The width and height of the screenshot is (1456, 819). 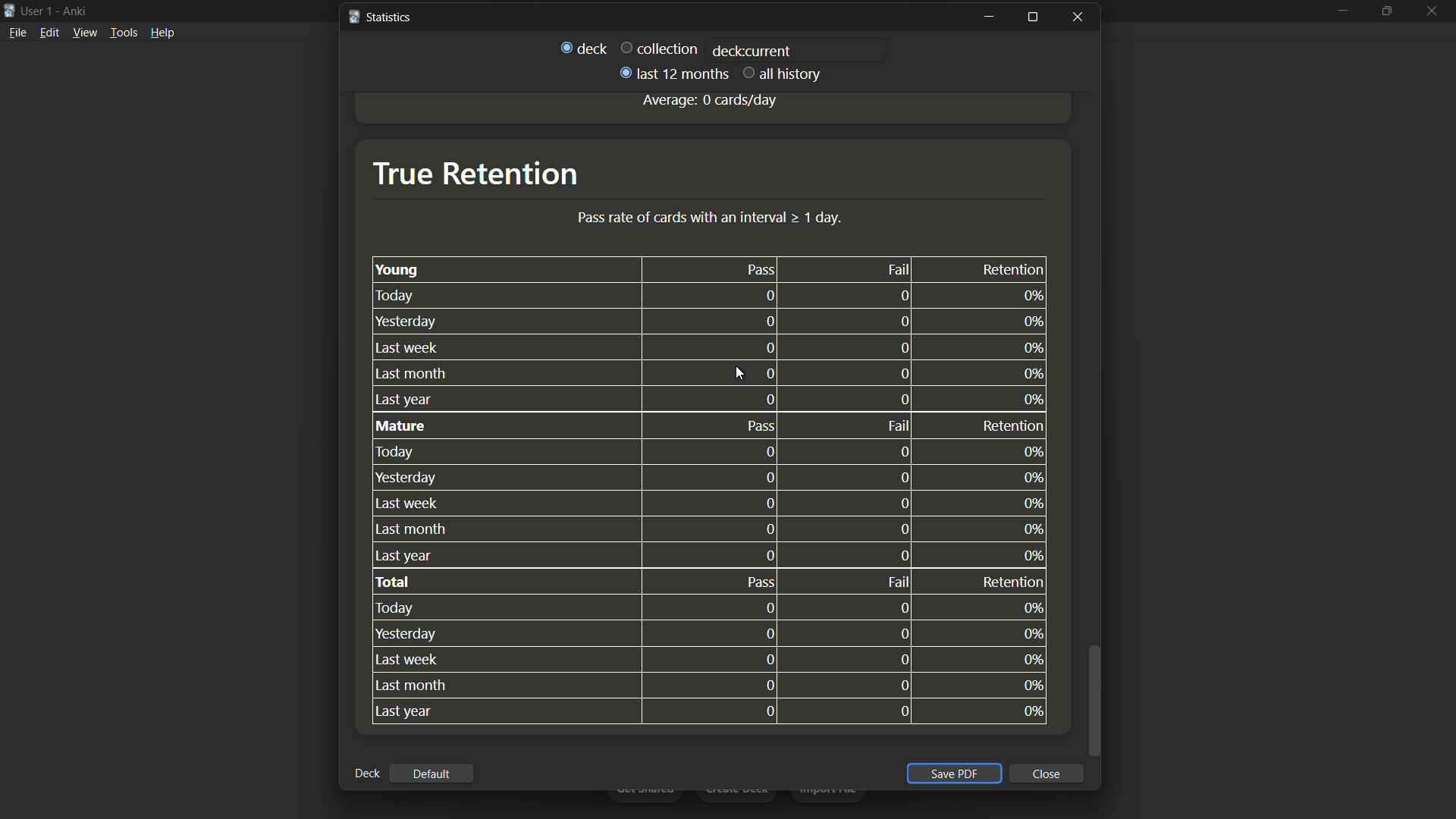 I want to click on minimize, so click(x=989, y=18).